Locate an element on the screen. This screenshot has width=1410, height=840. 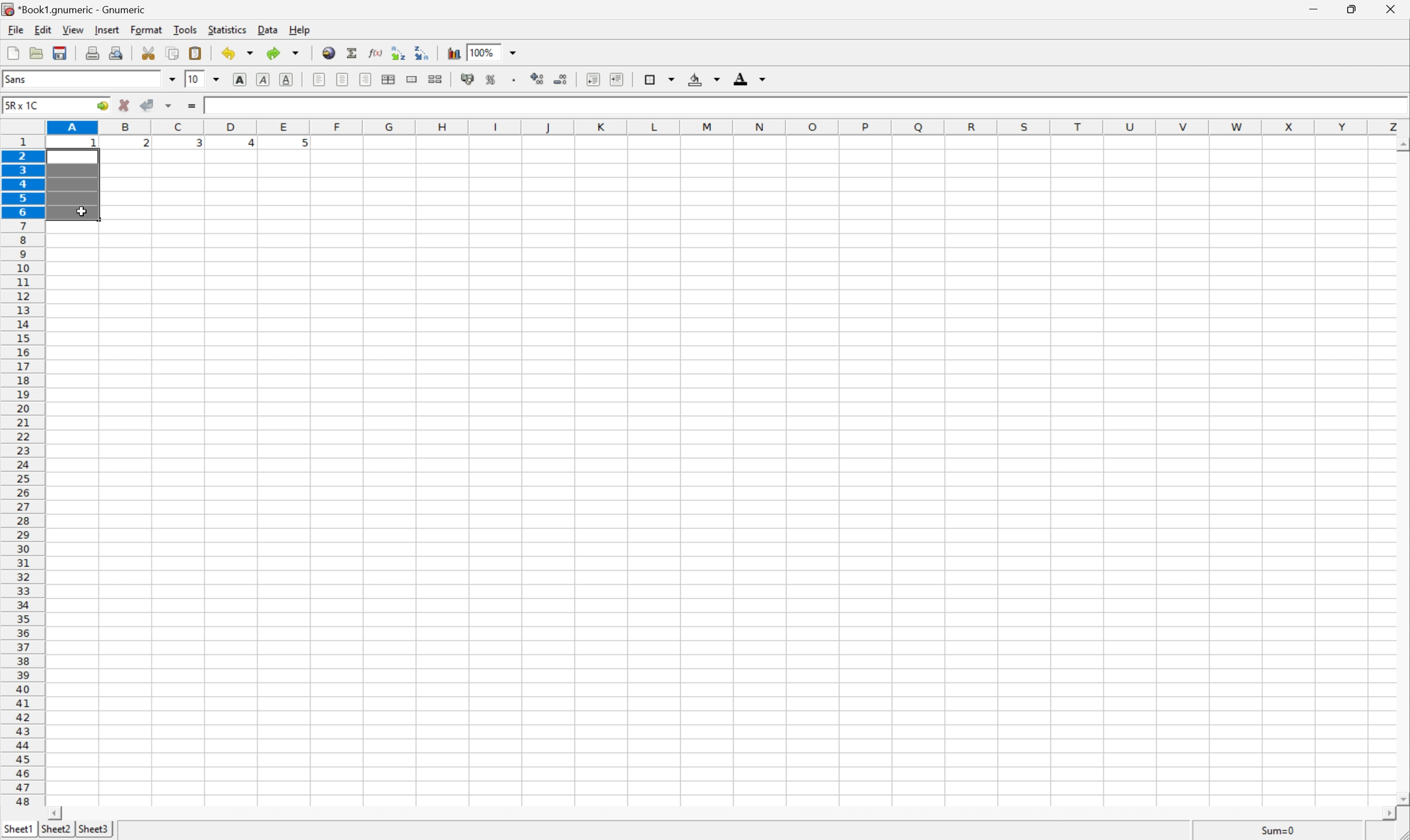
view is located at coordinates (72, 29).